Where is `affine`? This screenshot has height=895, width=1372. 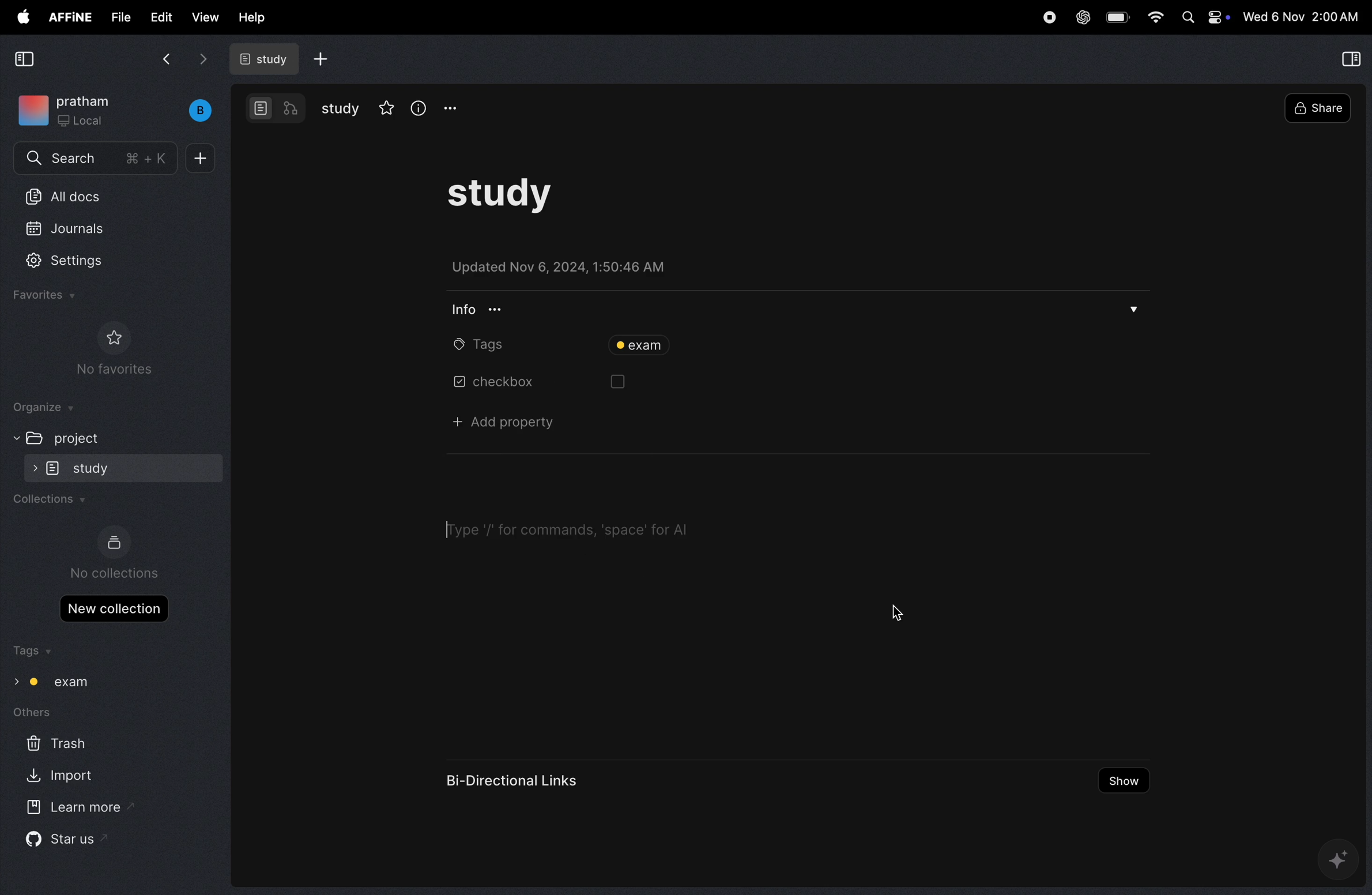
affine is located at coordinates (70, 18).